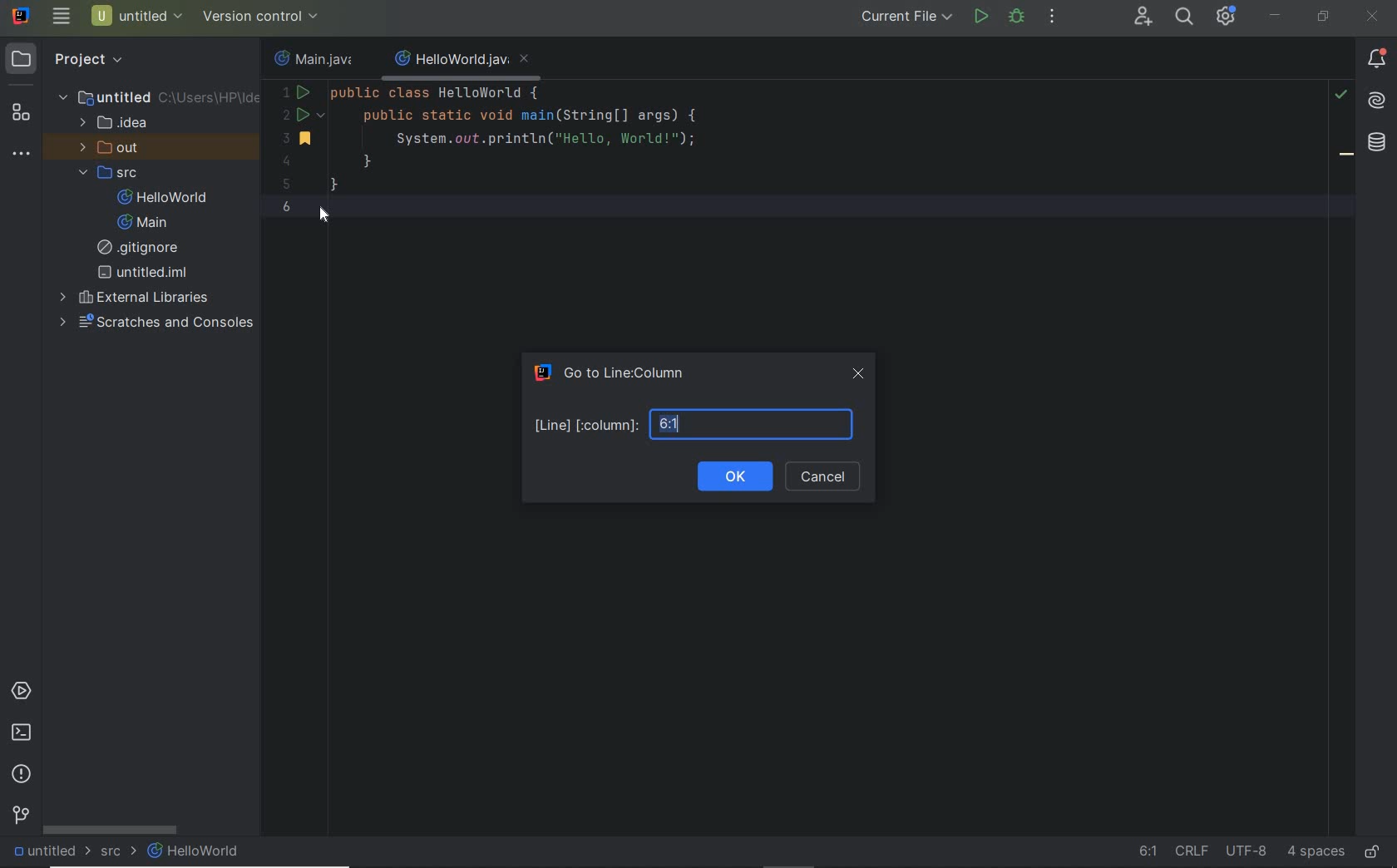 This screenshot has width=1397, height=868. What do you see at coordinates (1347, 157) in the screenshot?
I see `bookmark` at bounding box center [1347, 157].